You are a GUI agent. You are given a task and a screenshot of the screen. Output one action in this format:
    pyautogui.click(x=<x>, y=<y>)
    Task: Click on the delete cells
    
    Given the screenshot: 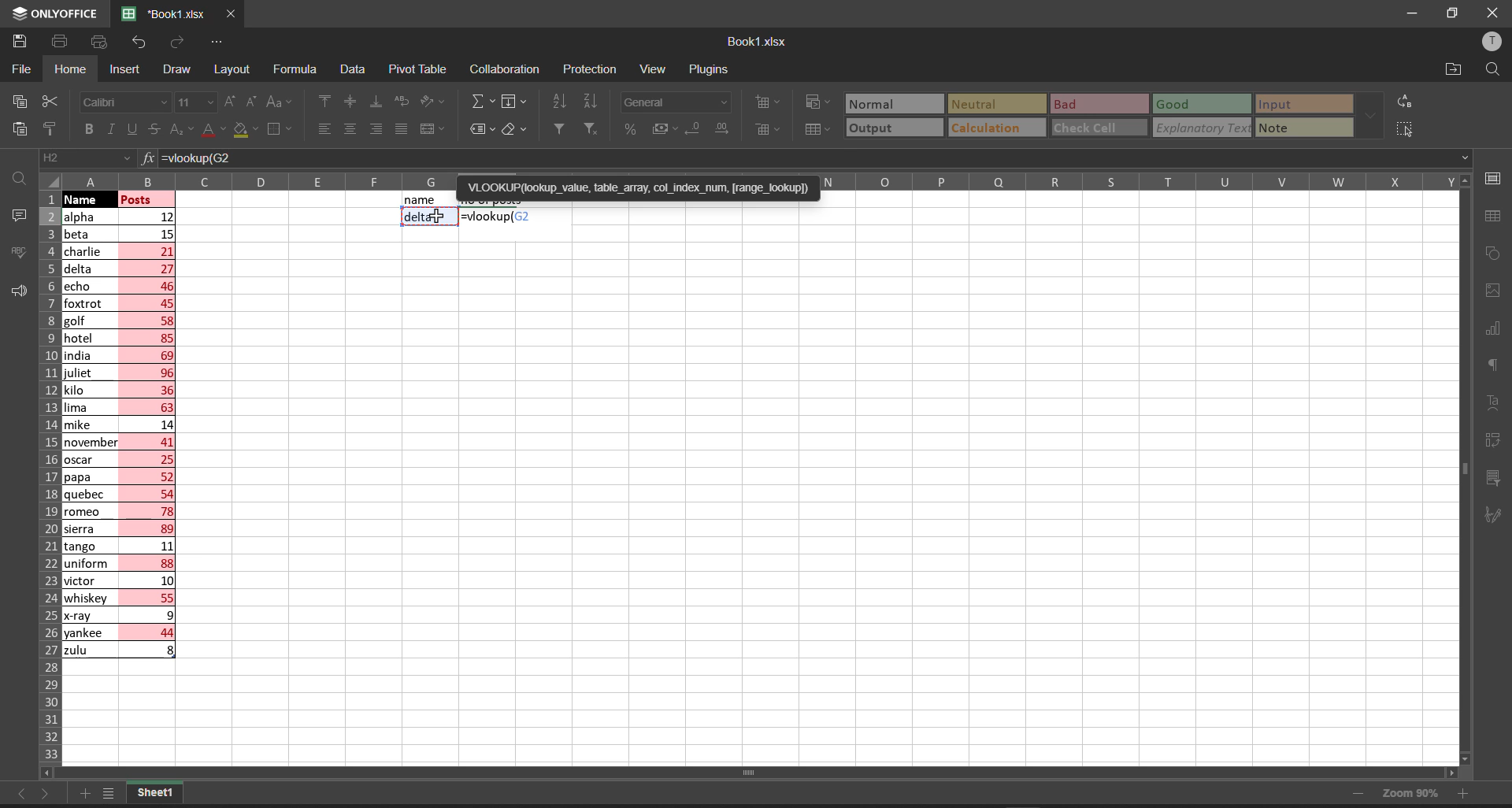 What is the action you would take?
    pyautogui.click(x=765, y=128)
    